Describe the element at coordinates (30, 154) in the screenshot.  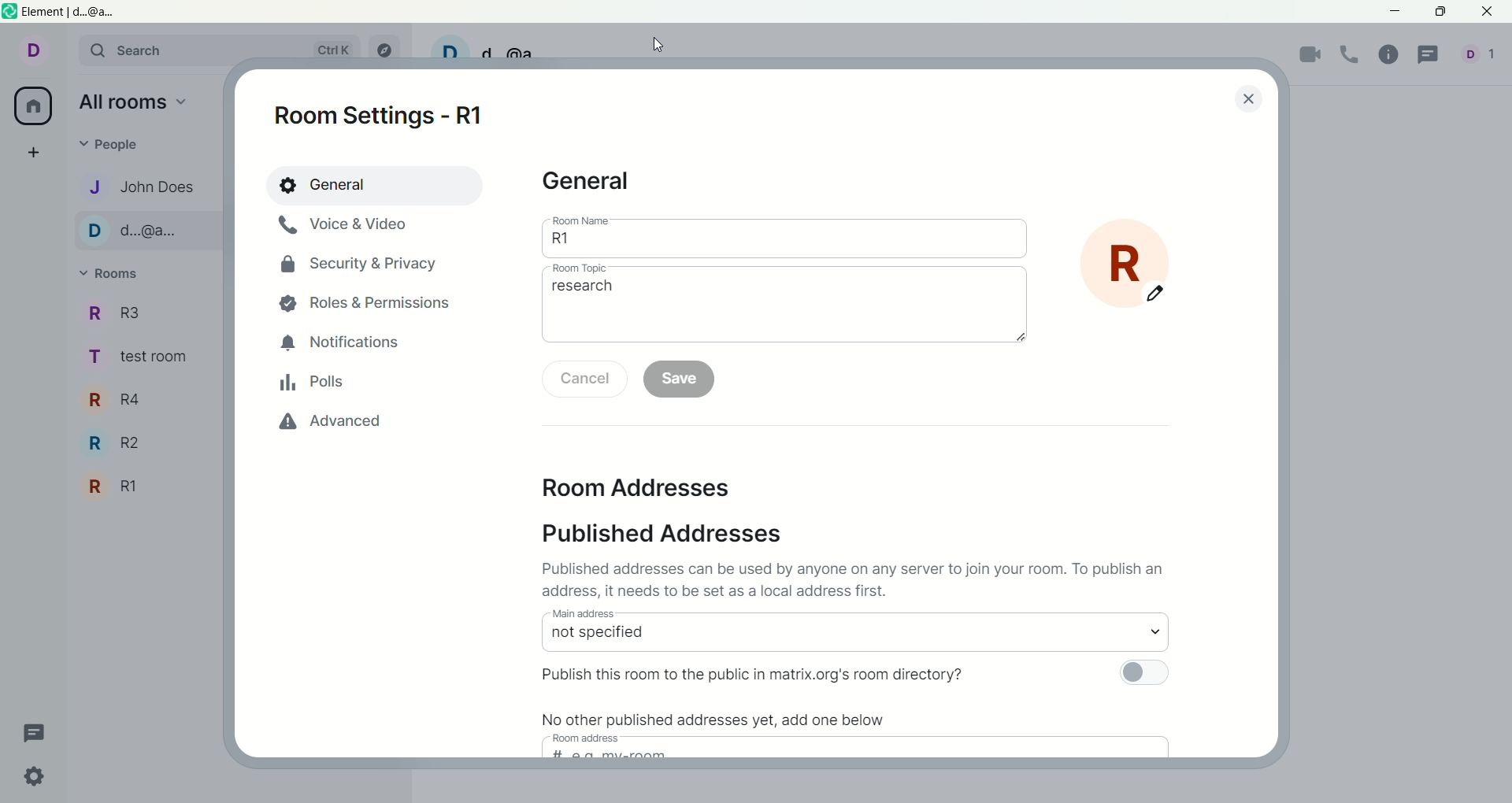
I see `create a space` at that location.